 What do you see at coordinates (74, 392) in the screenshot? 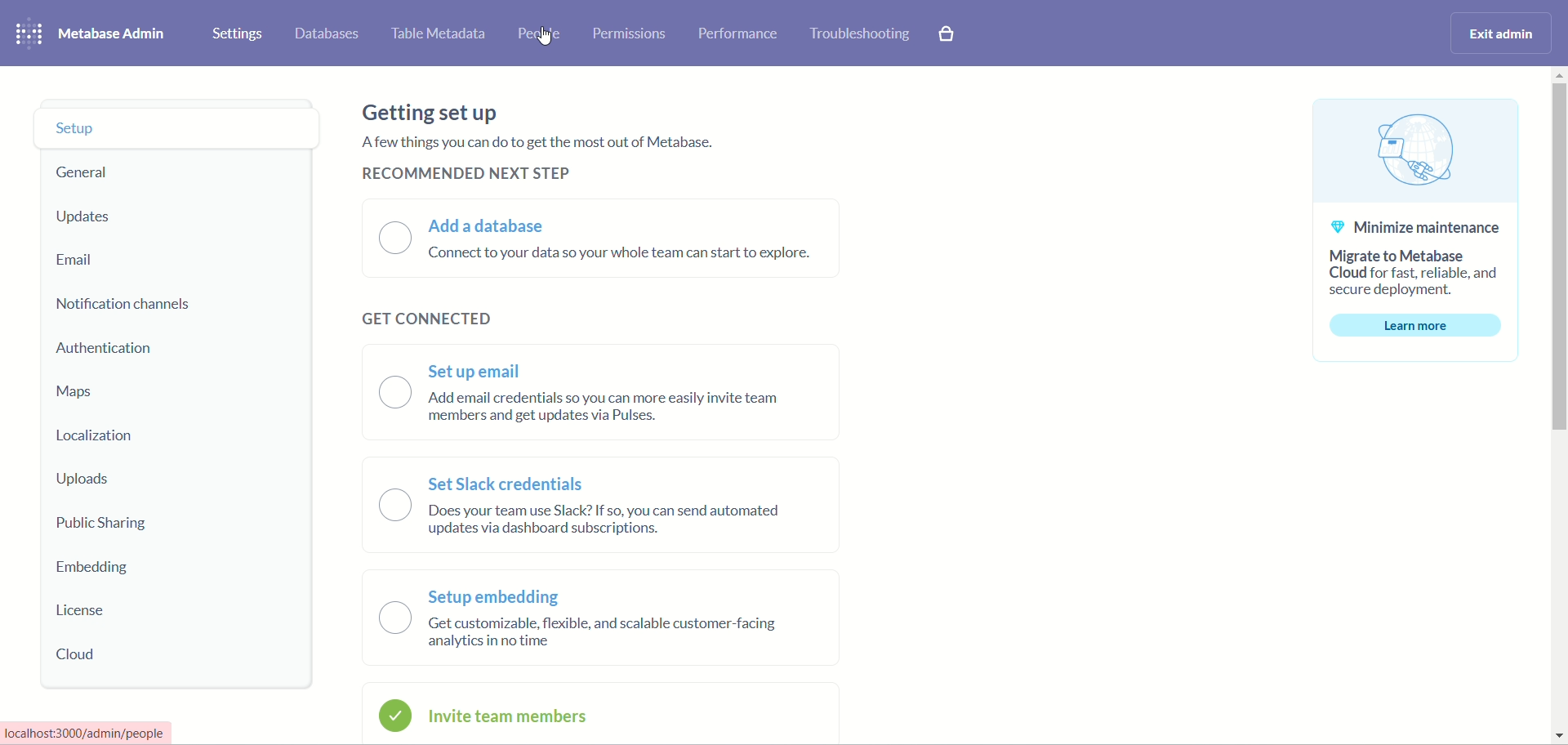
I see `maps` at bounding box center [74, 392].